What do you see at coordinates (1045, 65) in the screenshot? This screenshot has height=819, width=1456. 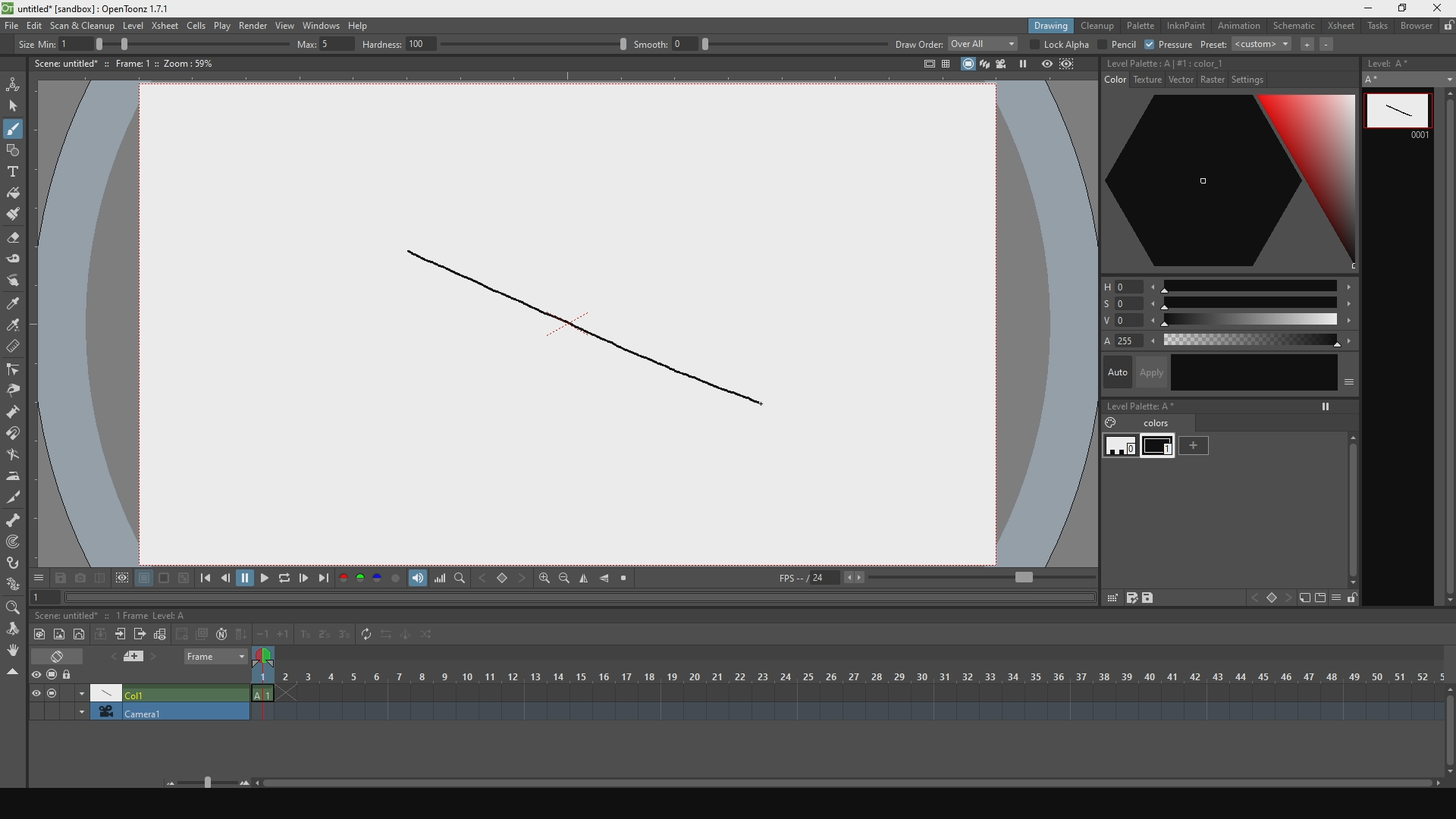 I see `preview` at bounding box center [1045, 65].